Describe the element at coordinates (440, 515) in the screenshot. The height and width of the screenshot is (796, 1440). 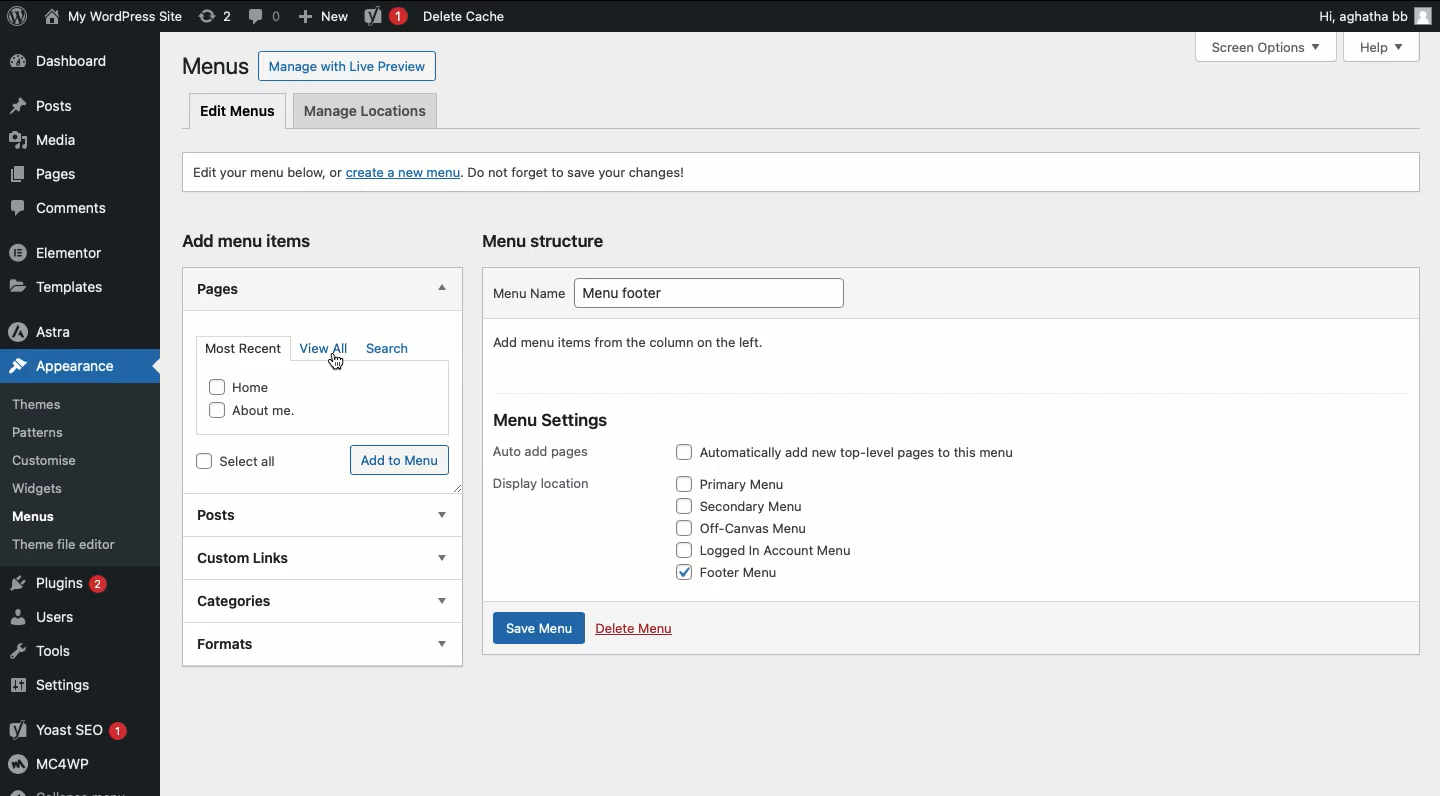
I see `show` at that location.